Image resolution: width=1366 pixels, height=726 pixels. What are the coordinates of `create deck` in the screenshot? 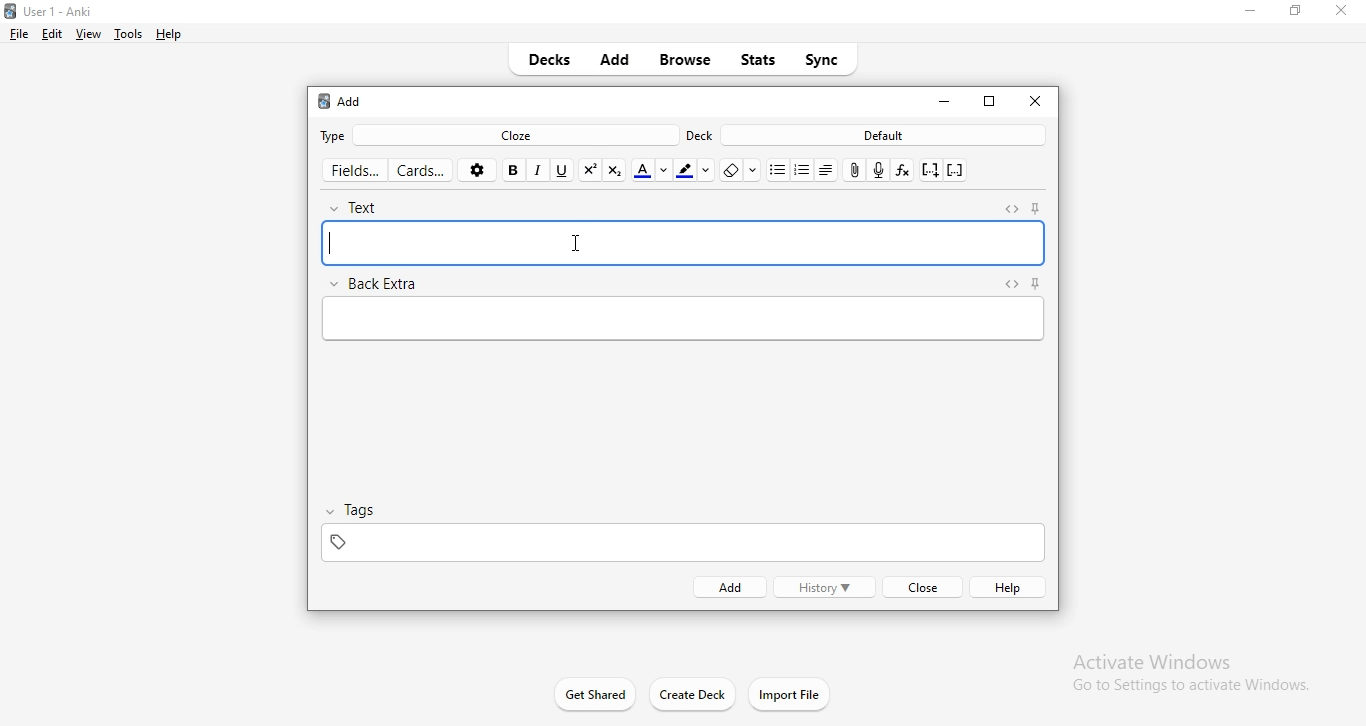 It's located at (690, 696).